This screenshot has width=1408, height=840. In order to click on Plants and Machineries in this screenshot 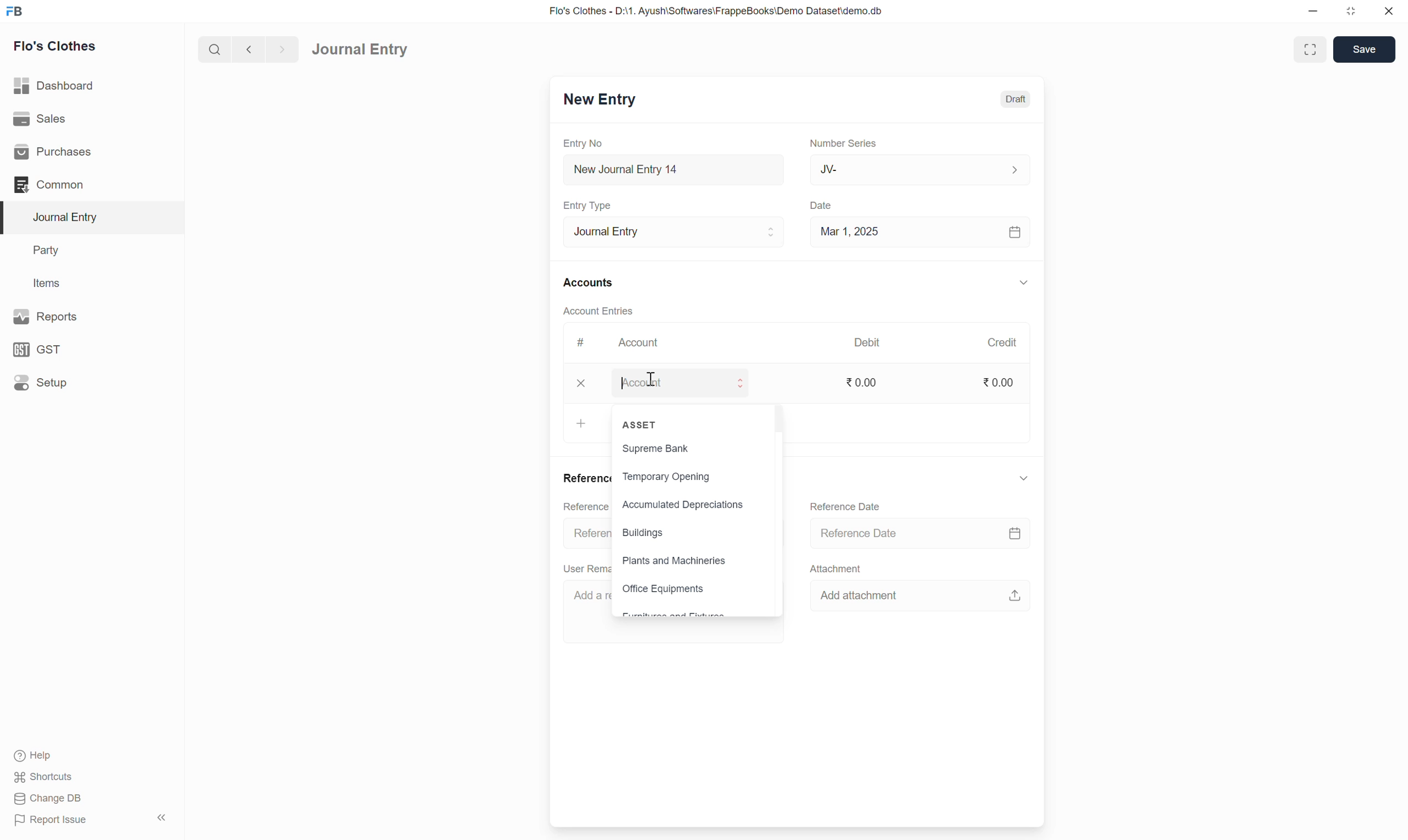, I will do `click(676, 560)`.